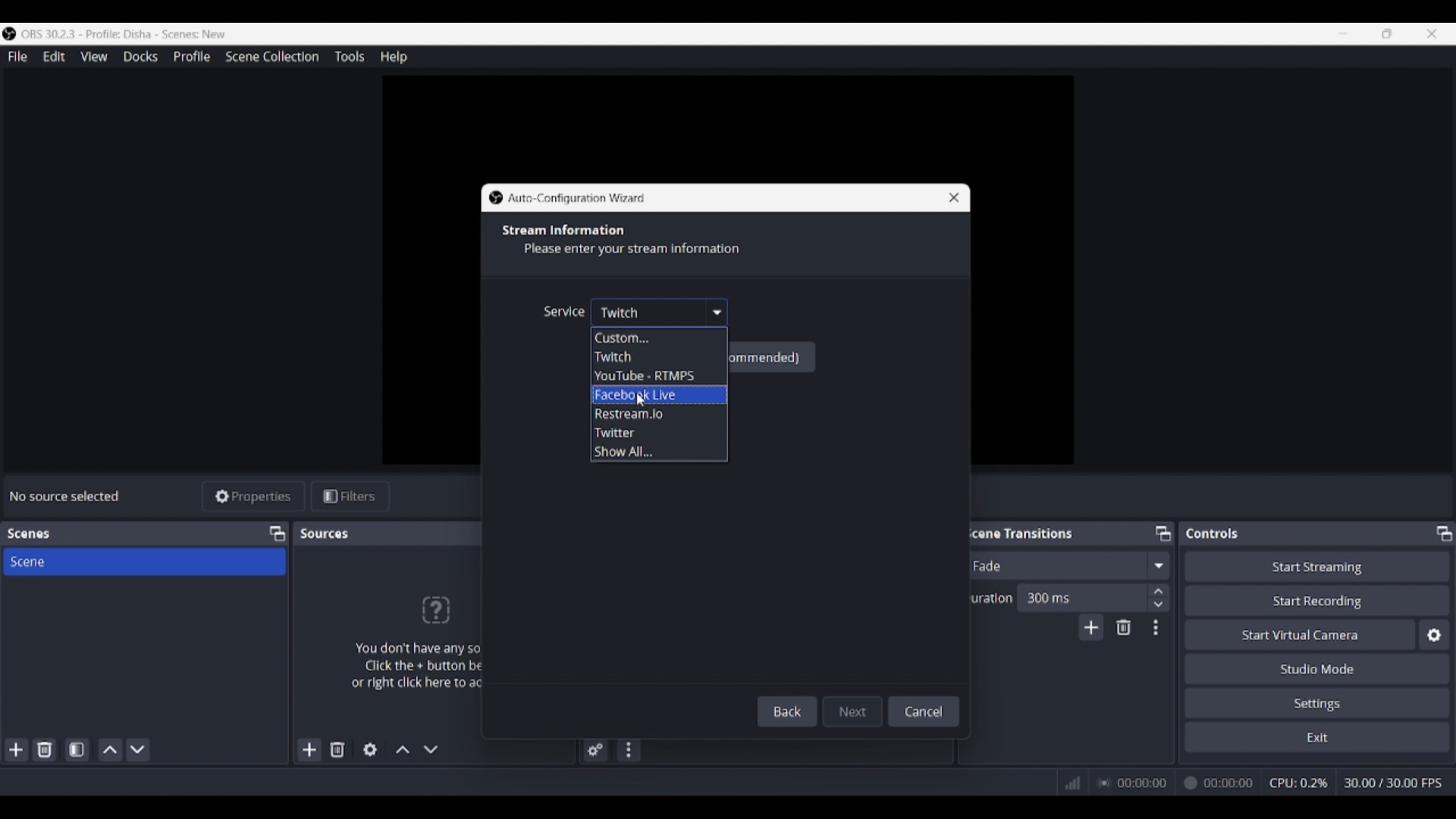 This screenshot has width=1456, height=819. Describe the element at coordinates (1318, 702) in the screenshot. I see `Settings` at that location.